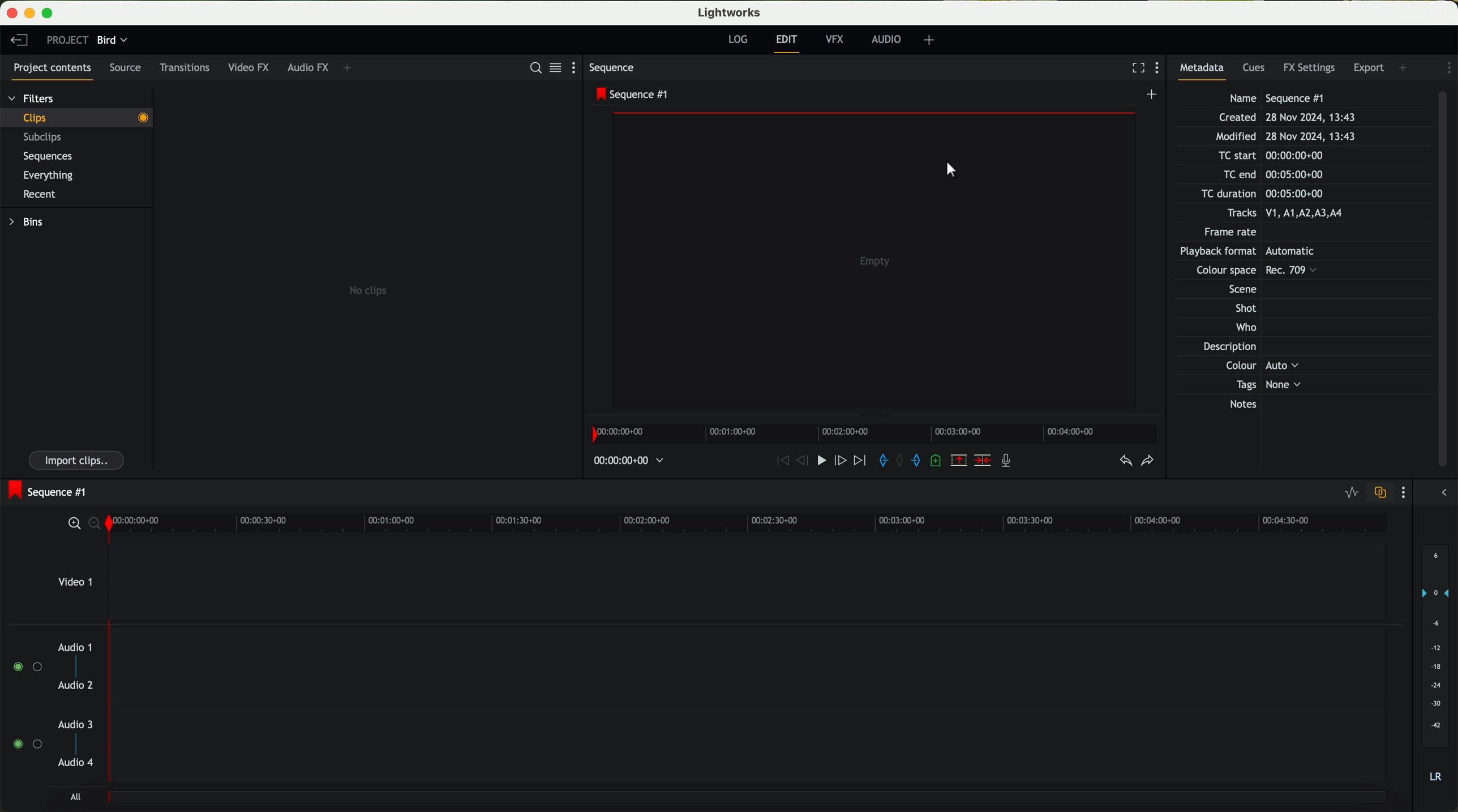 This screenshot has height=812, width=1458. Describe the element at coordinates (843, 461) in the screenshot. I see `nudge one frame foward` at that location.